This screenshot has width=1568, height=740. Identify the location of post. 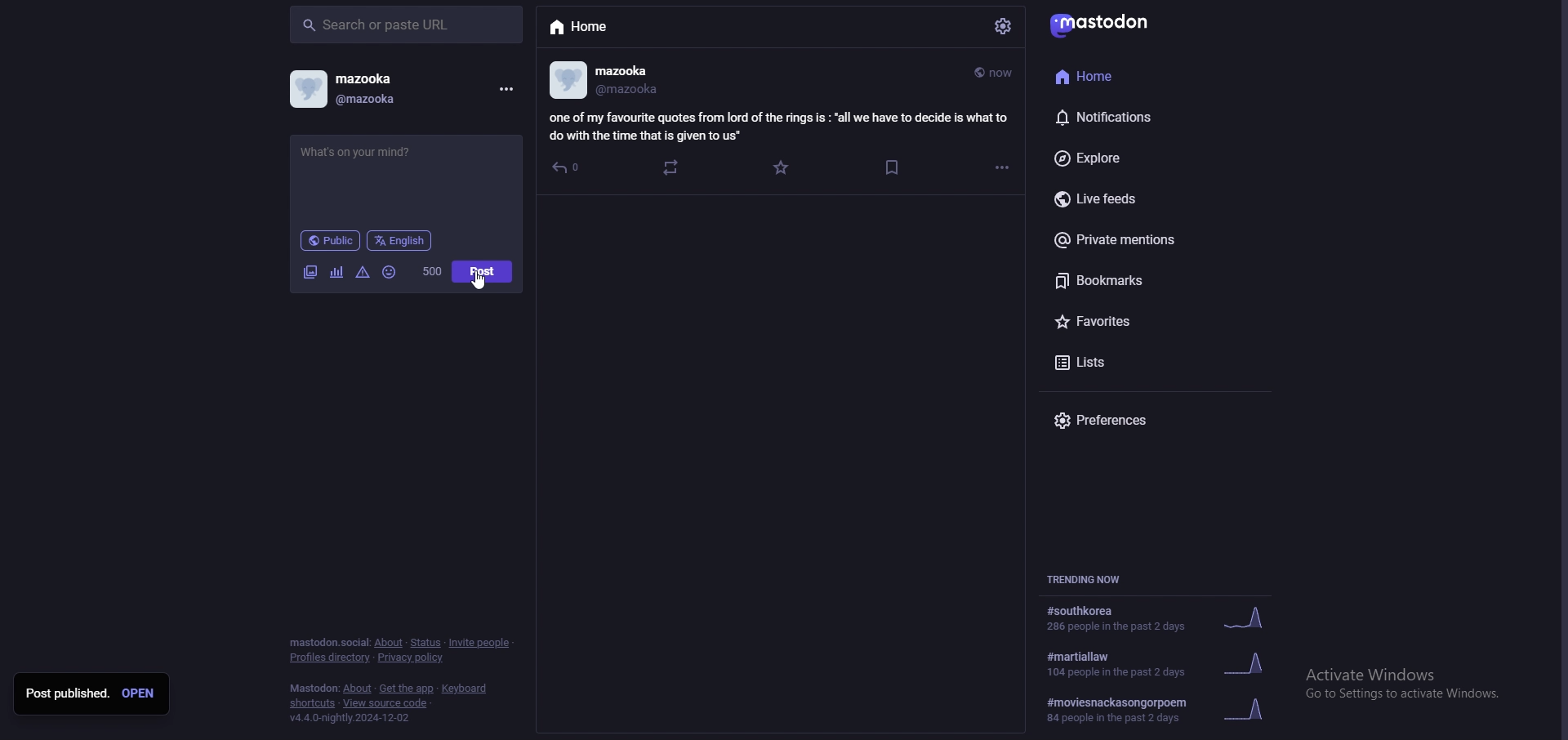
(483, 271).